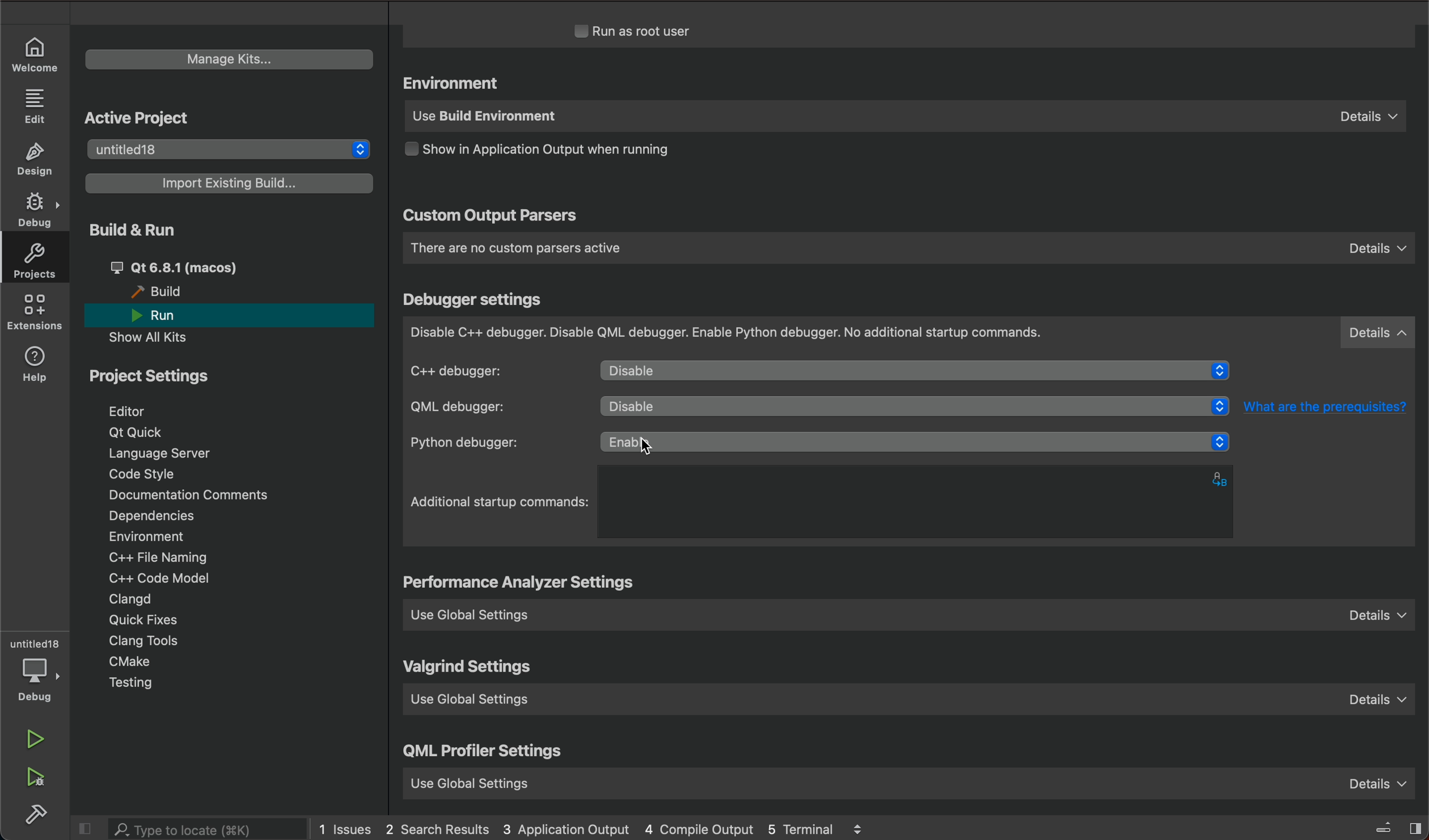 The height and width of the screenshot is (840, 1429). What do you see at coordinates (169, 453) in the screenshot?
I see `language` at bounding box center [169, 453].